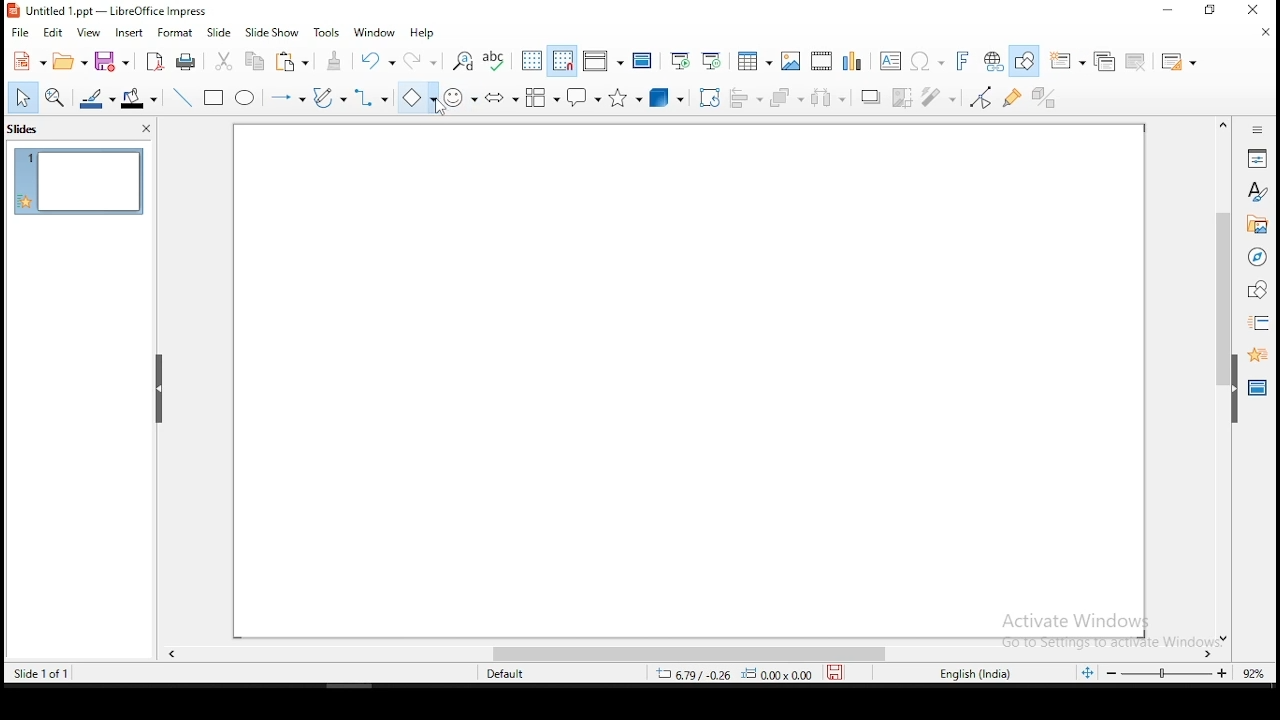 The image size is (1280, 720). I want to click on fontwork text, so click(956, 61).